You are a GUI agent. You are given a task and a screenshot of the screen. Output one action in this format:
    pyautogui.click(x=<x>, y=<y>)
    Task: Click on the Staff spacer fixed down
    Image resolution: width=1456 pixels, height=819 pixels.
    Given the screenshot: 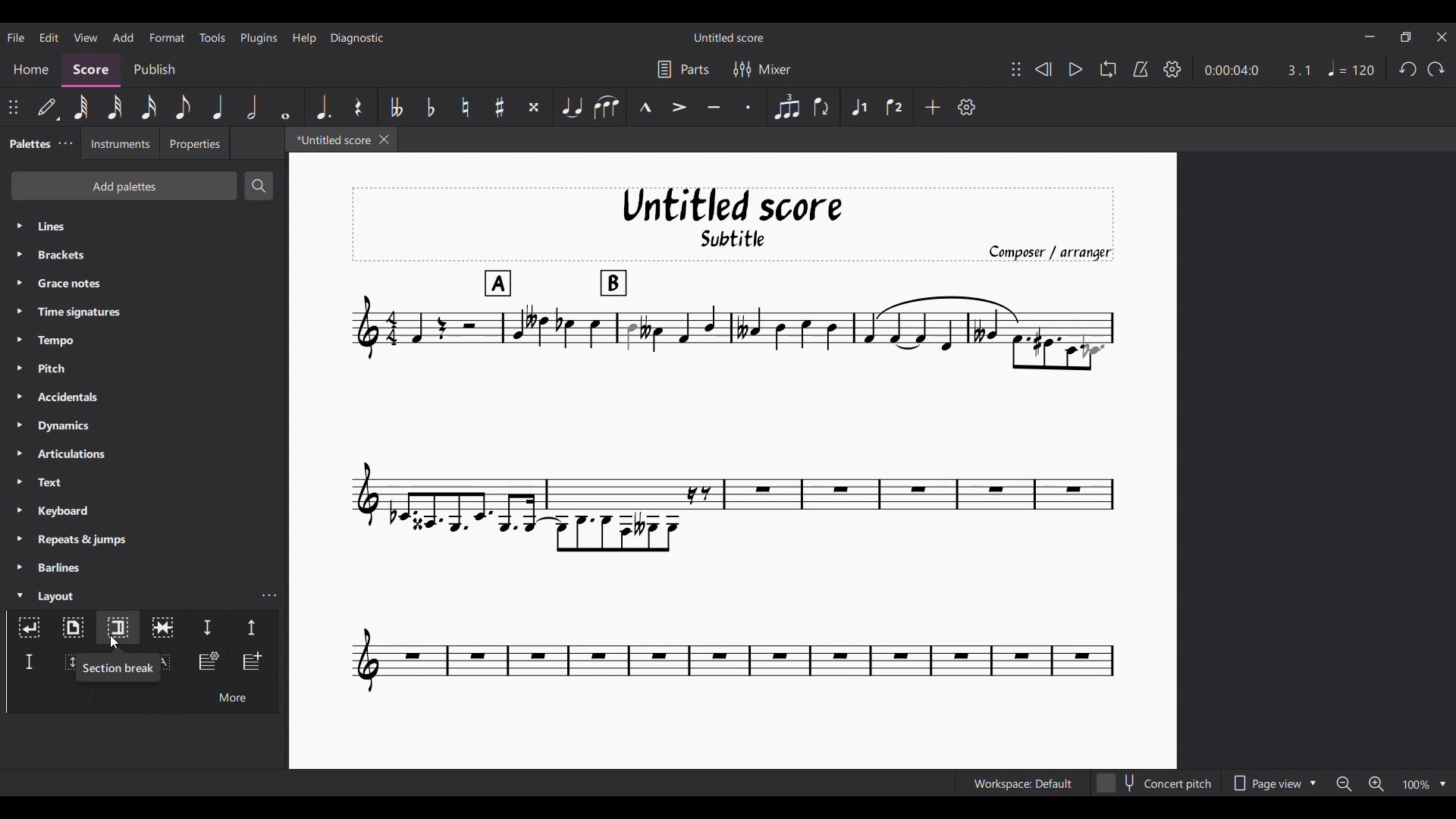 What is the action you would take?
    pyautogui.click(x=29, y=662)
    